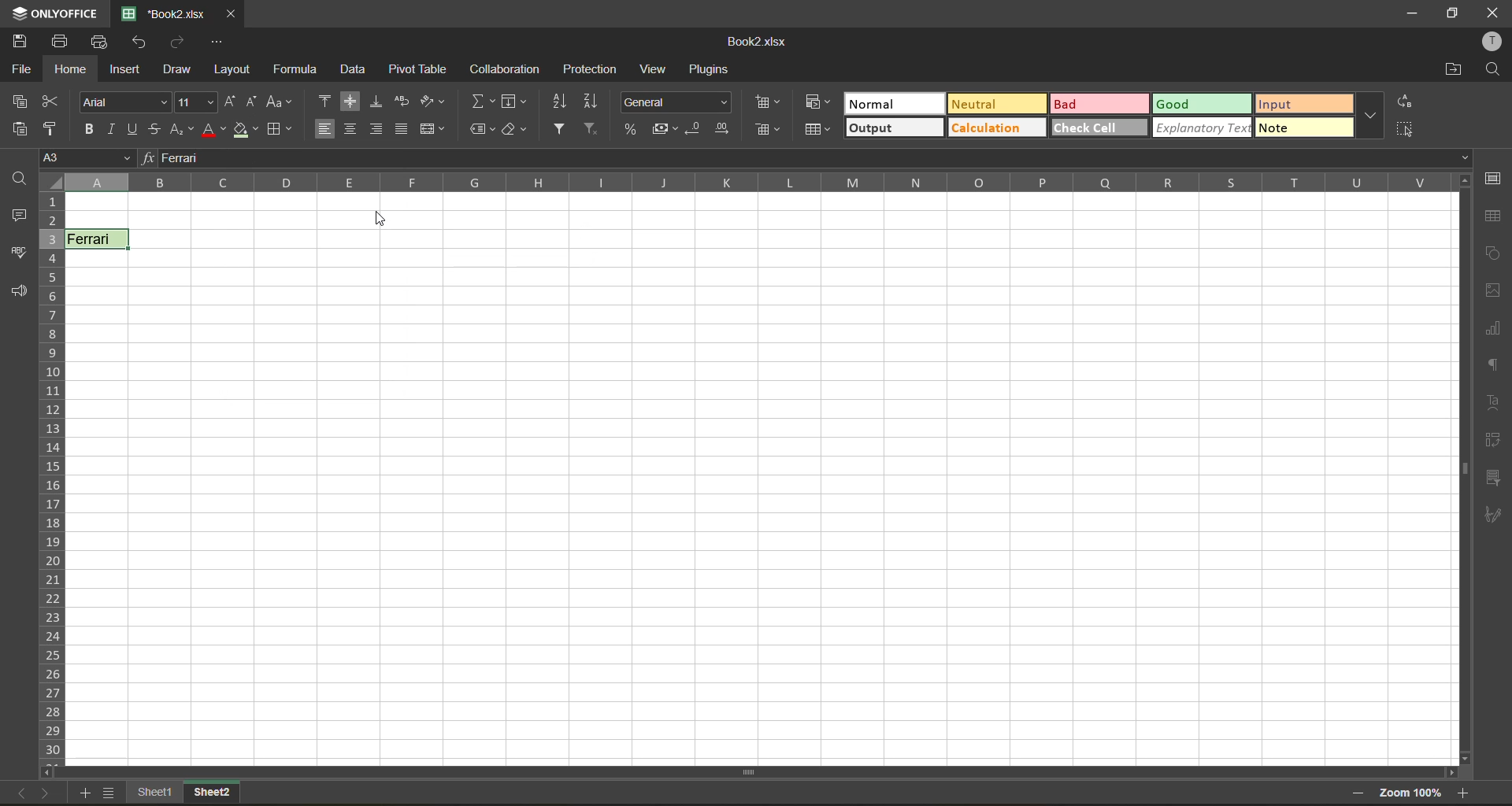  I want to click on sheet list, so click(109, 793).